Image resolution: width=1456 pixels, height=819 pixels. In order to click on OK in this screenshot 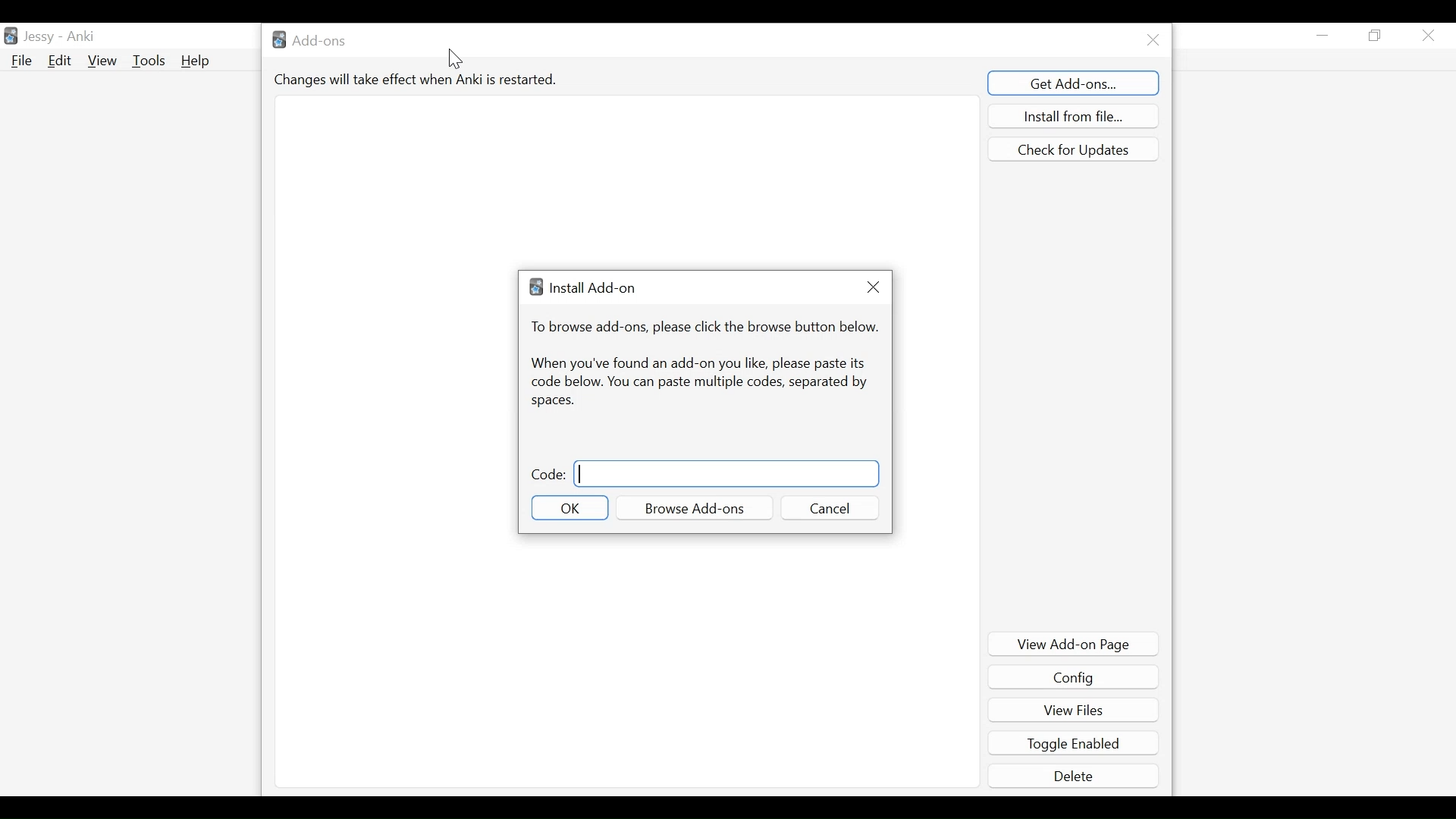, I will do `click(570, 507)`.